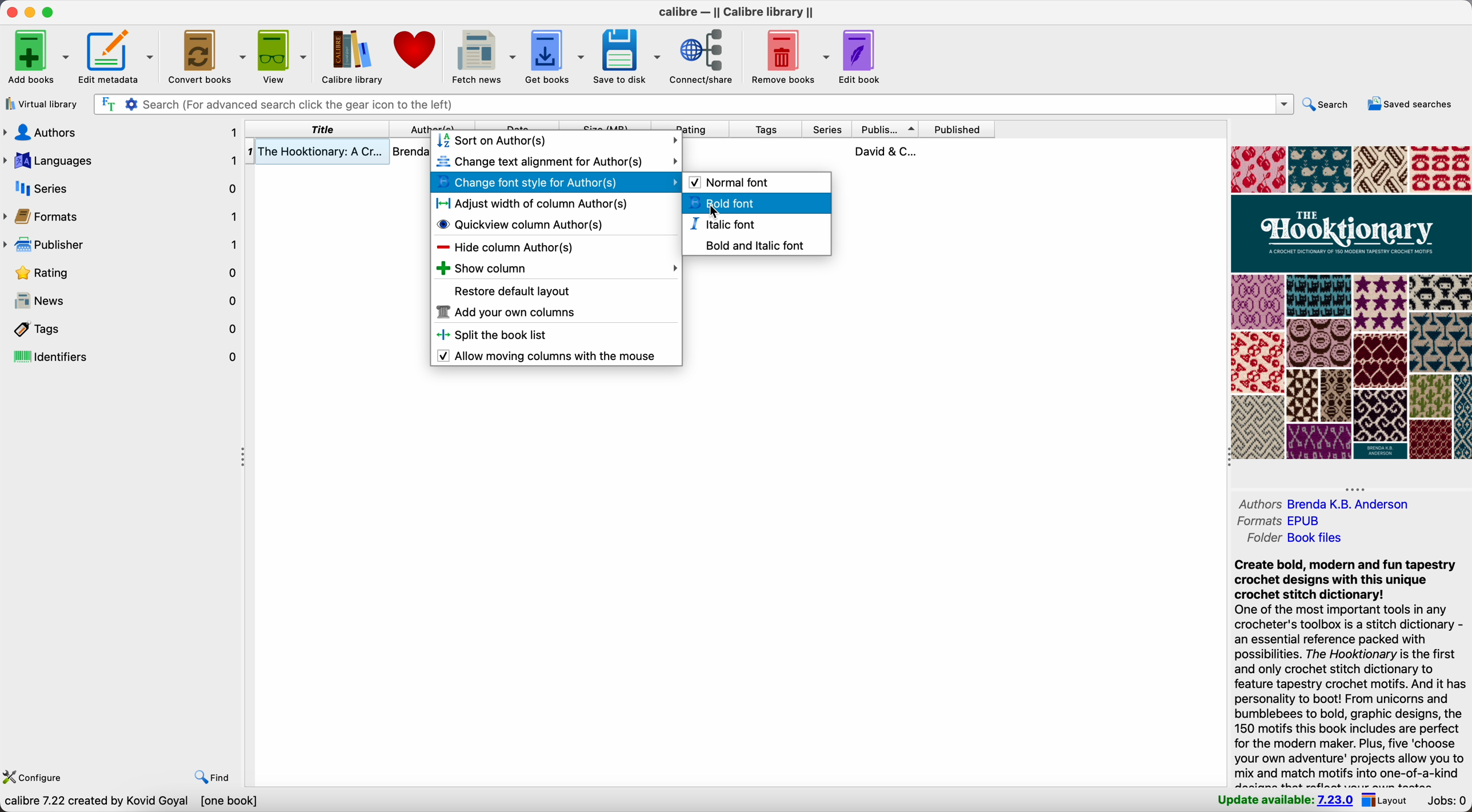 The width and height of the screenshot is (1472, 812). I want to click on data, so click(133, 802).